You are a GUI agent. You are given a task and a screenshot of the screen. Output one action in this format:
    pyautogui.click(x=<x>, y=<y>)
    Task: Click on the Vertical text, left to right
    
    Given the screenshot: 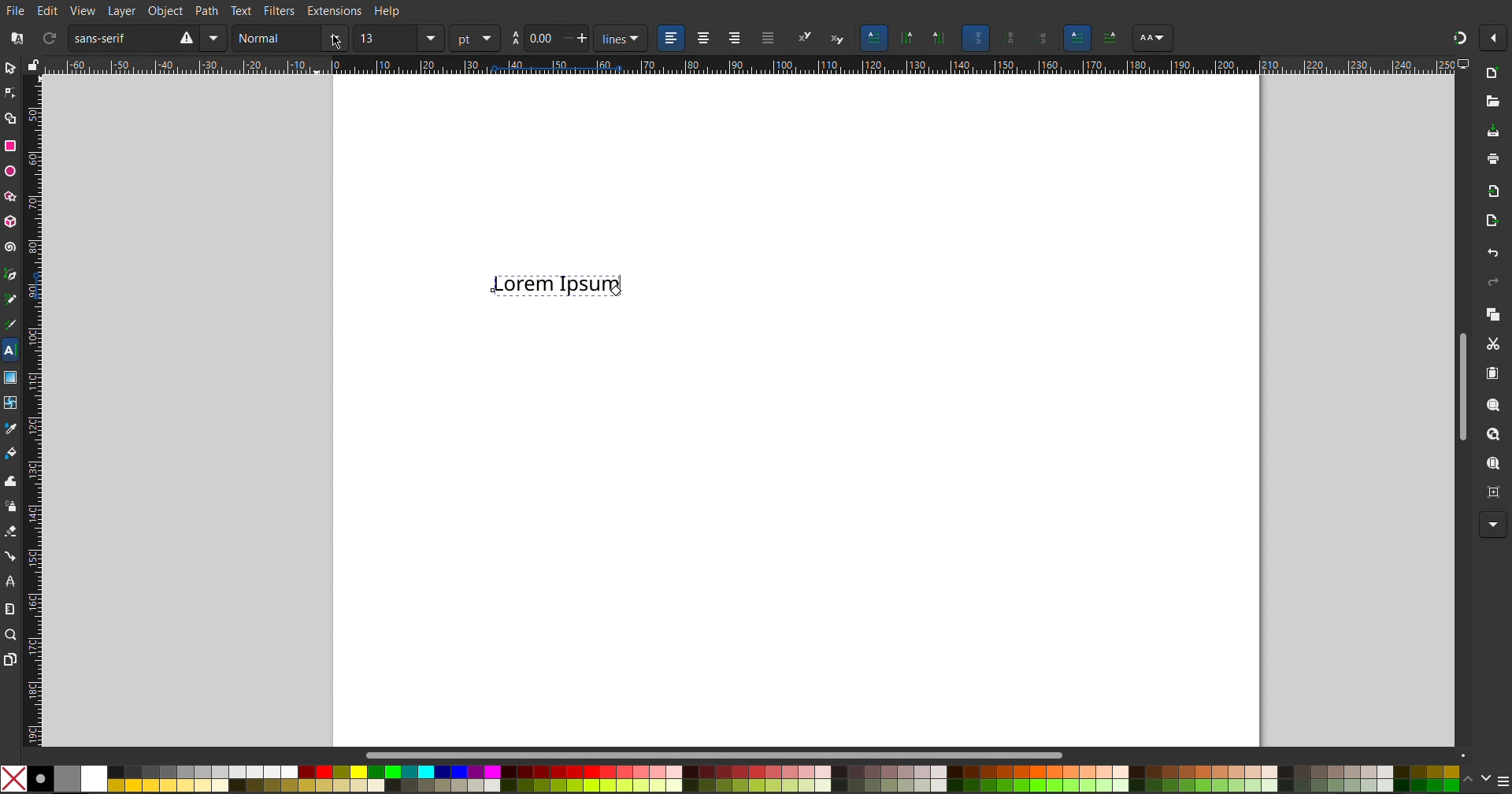 What is the action you would take?
    pyautogui.click(x=937, y=39)
    